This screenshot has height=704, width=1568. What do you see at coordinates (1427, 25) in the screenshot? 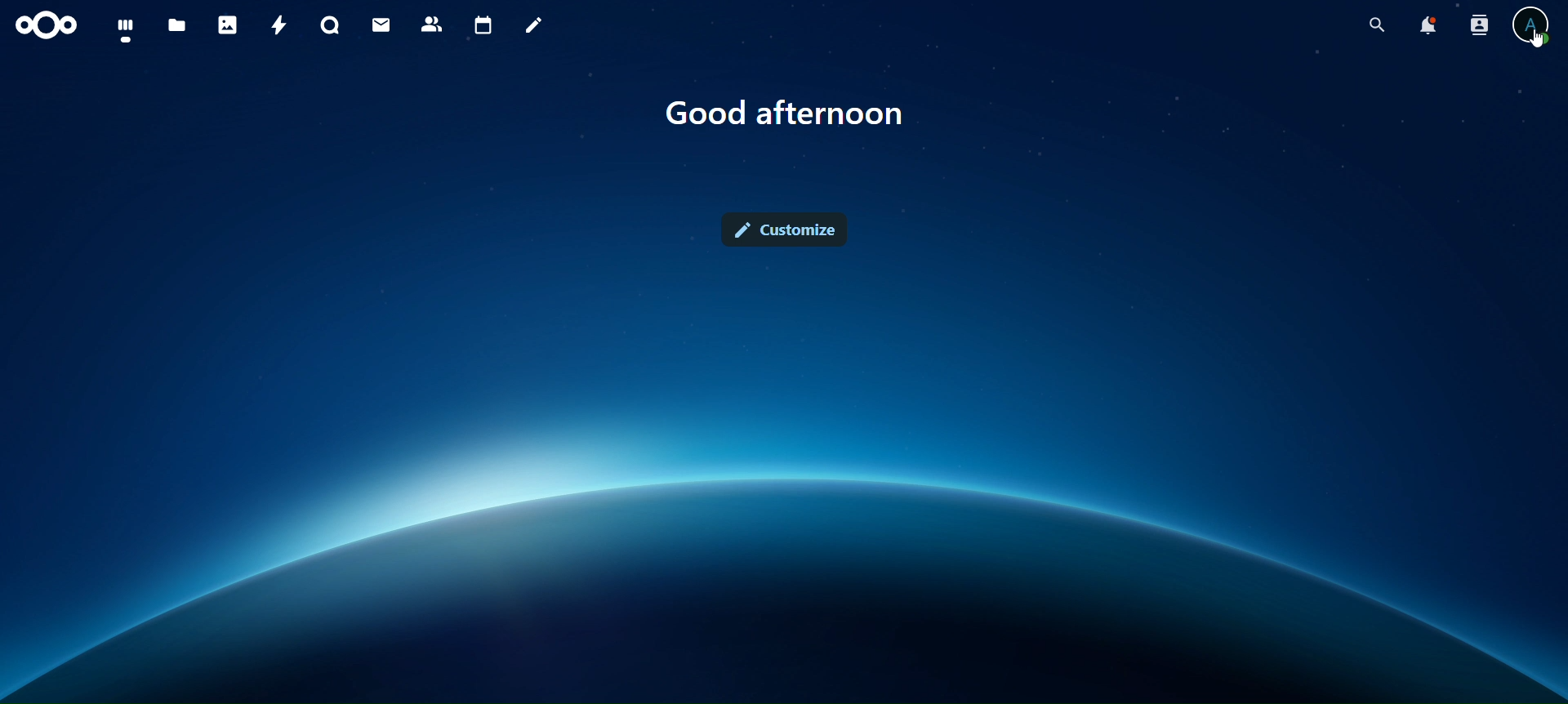
I see `notifications` at bounding box center [1427, 25].